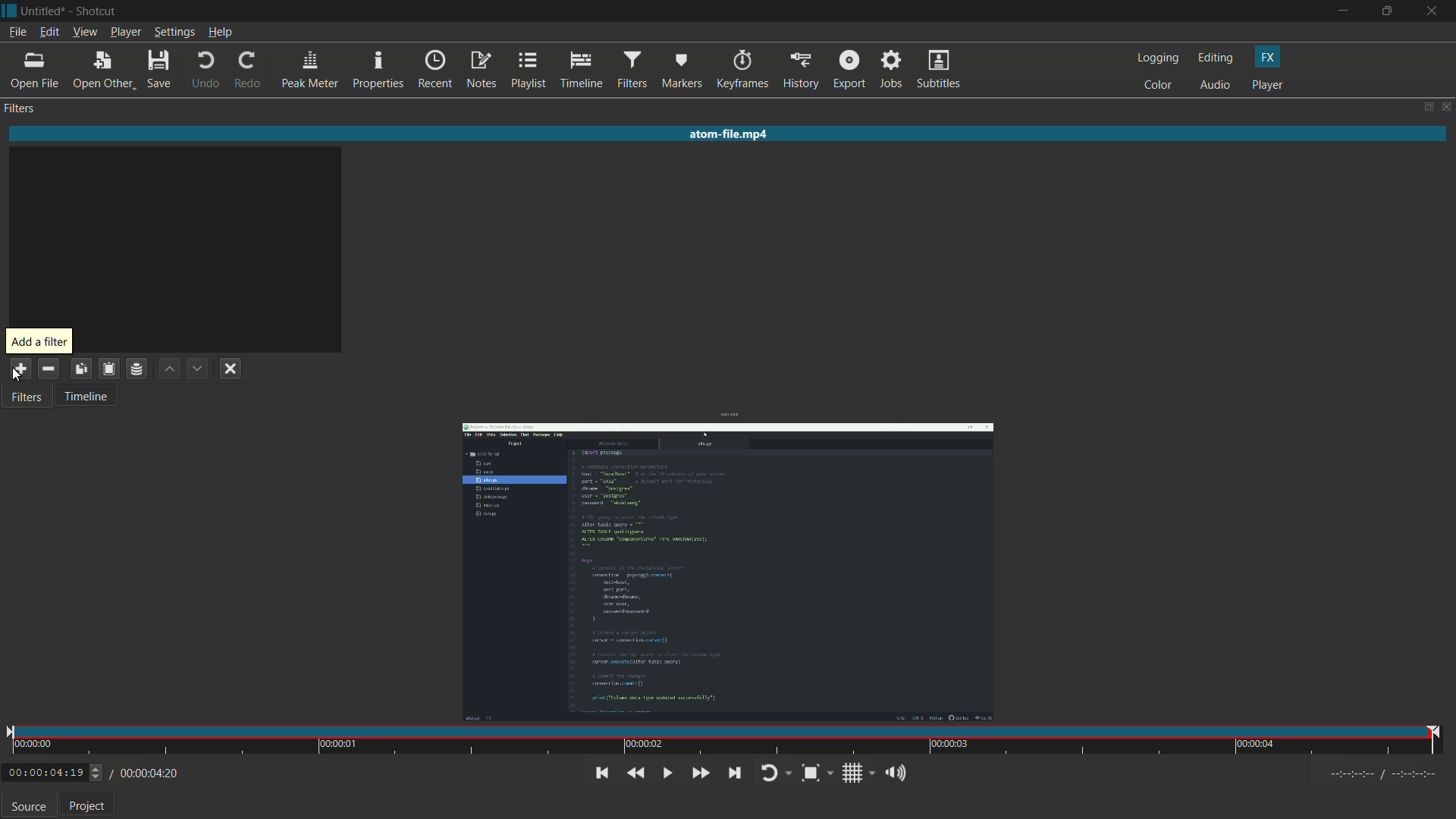 This screenshot has height=819, width=1456. I want to click on export, so click(847, 71).